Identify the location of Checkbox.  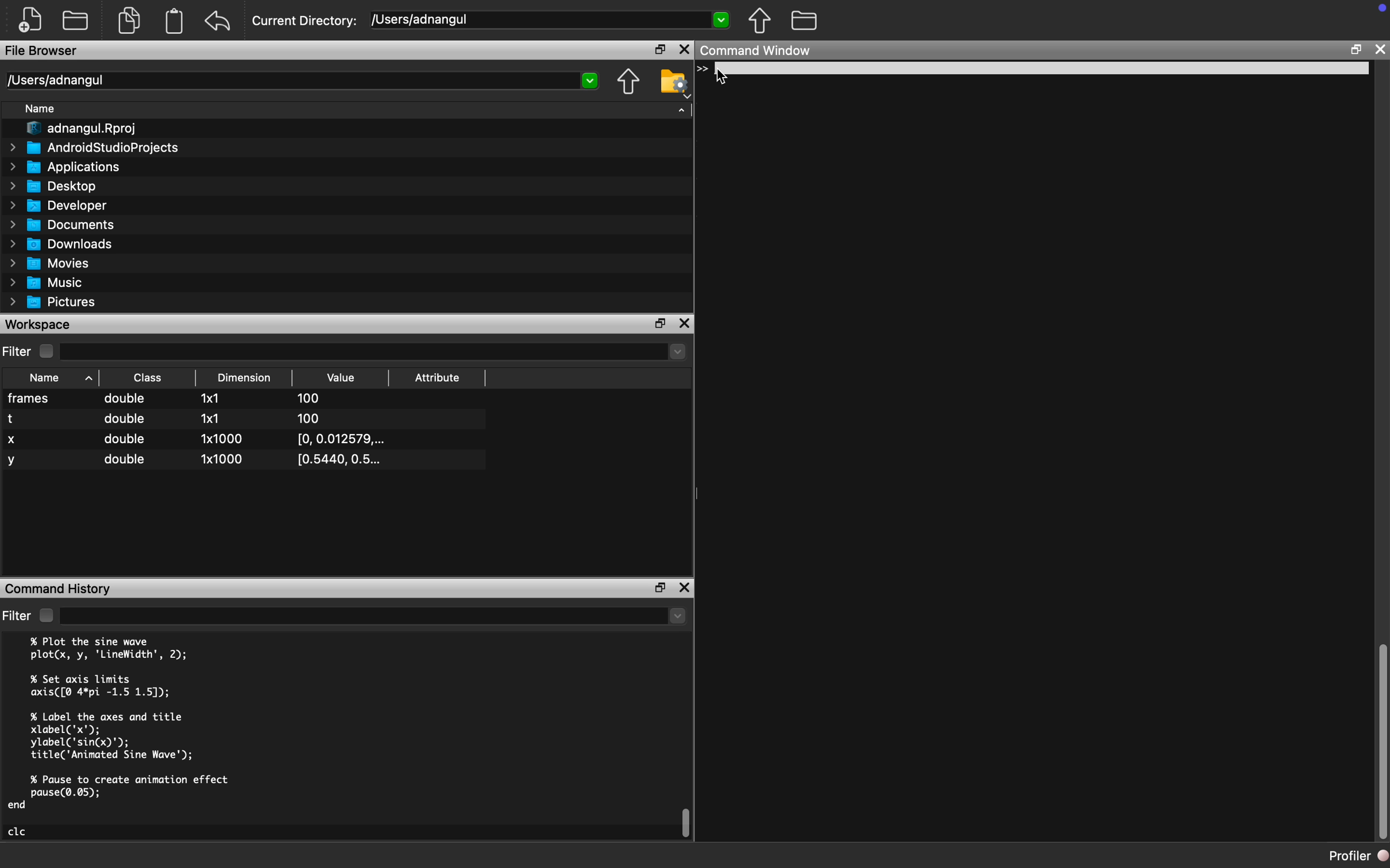
(45, 615).